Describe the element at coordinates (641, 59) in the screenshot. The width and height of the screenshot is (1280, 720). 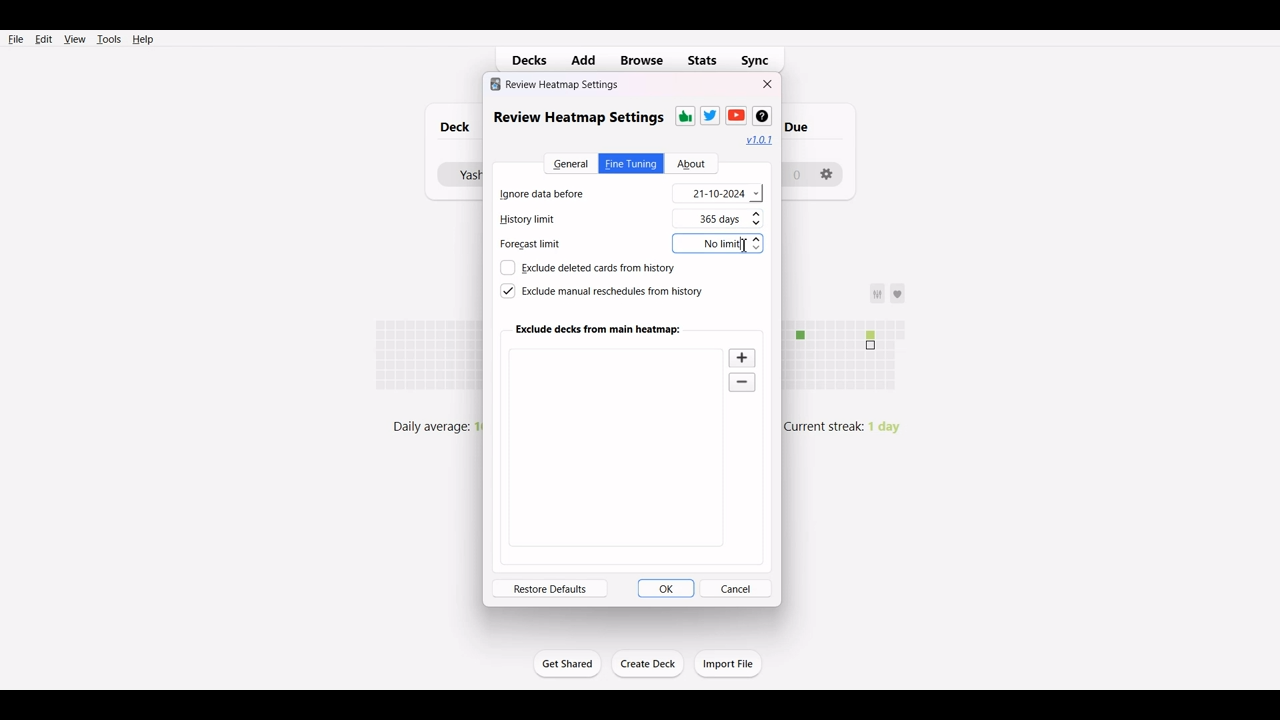
I see `Browse` at that location.